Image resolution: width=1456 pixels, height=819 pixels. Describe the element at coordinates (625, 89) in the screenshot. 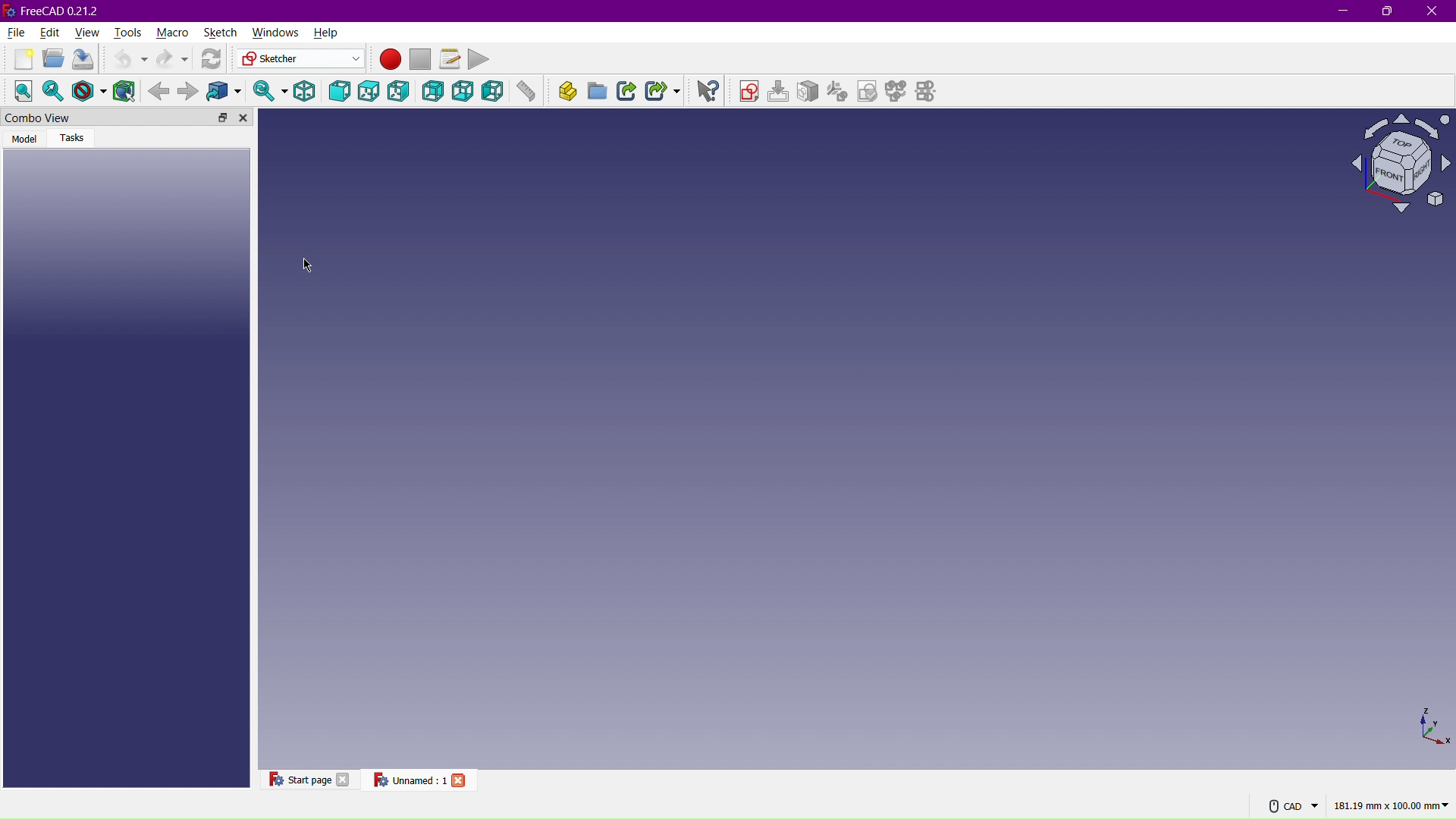

I see `Make a link` at that location.